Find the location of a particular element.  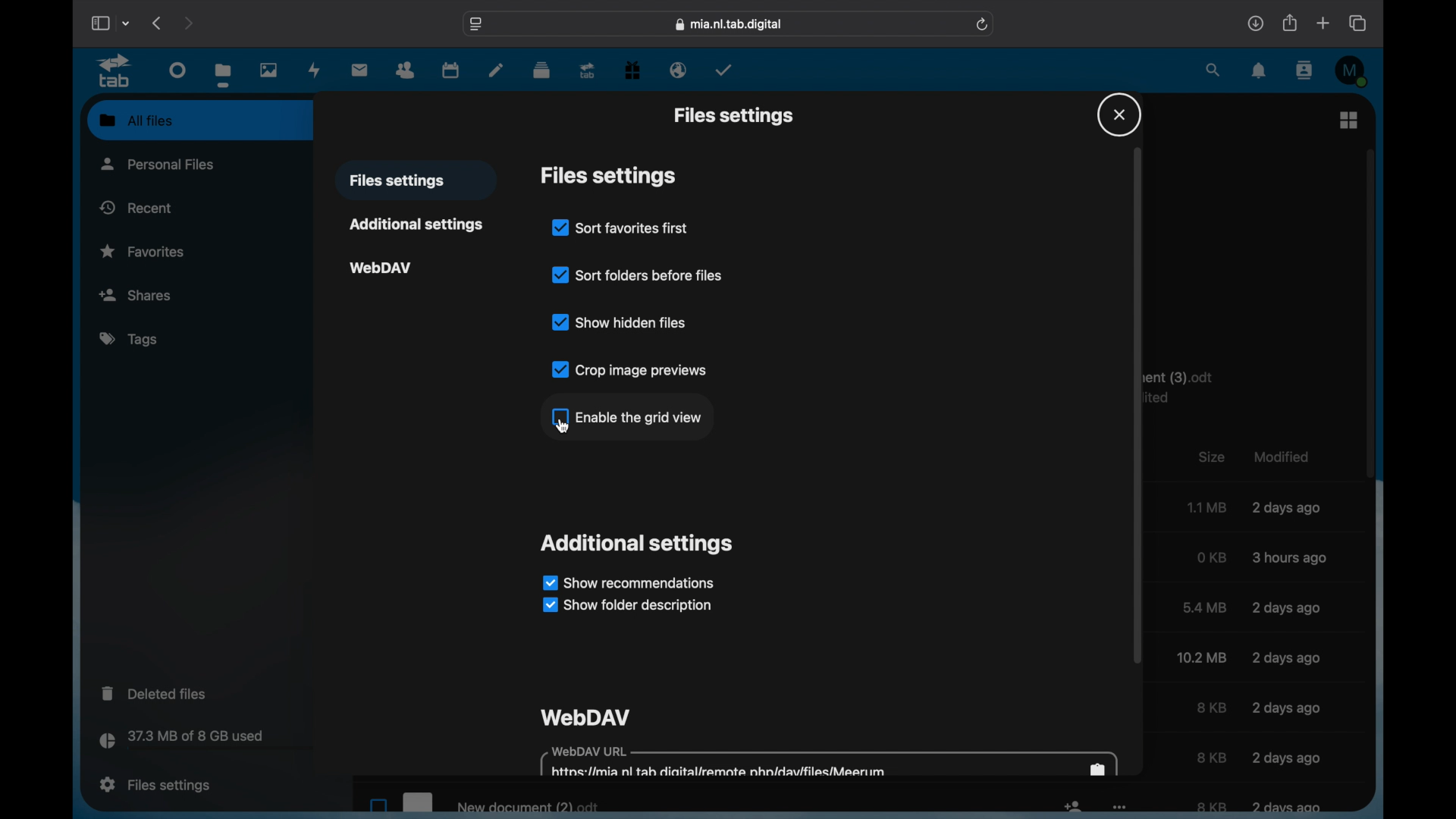

notification is located at coordinates (1260, 71).